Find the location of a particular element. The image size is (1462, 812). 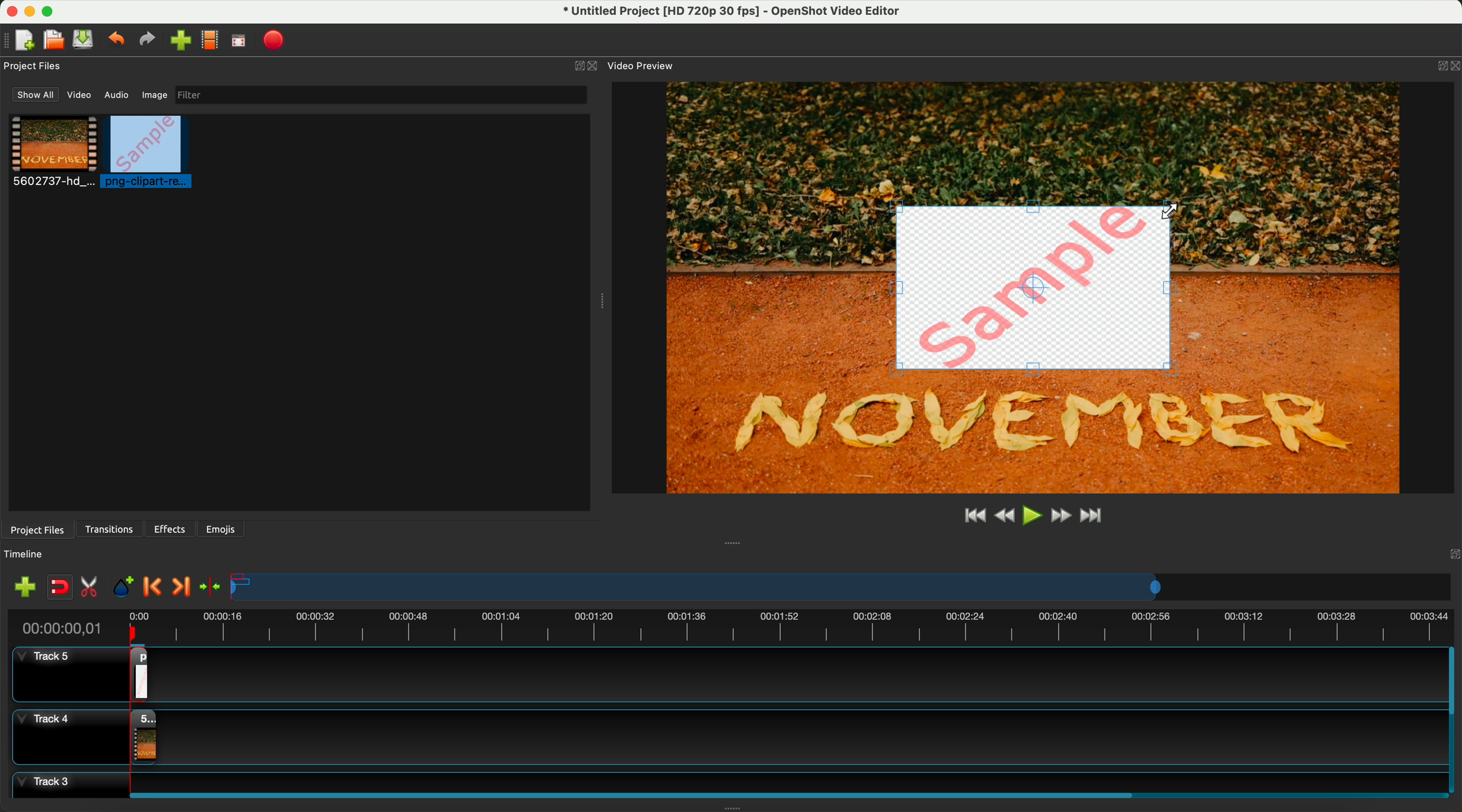

Window Expanding is located at coordinates (736, 807).